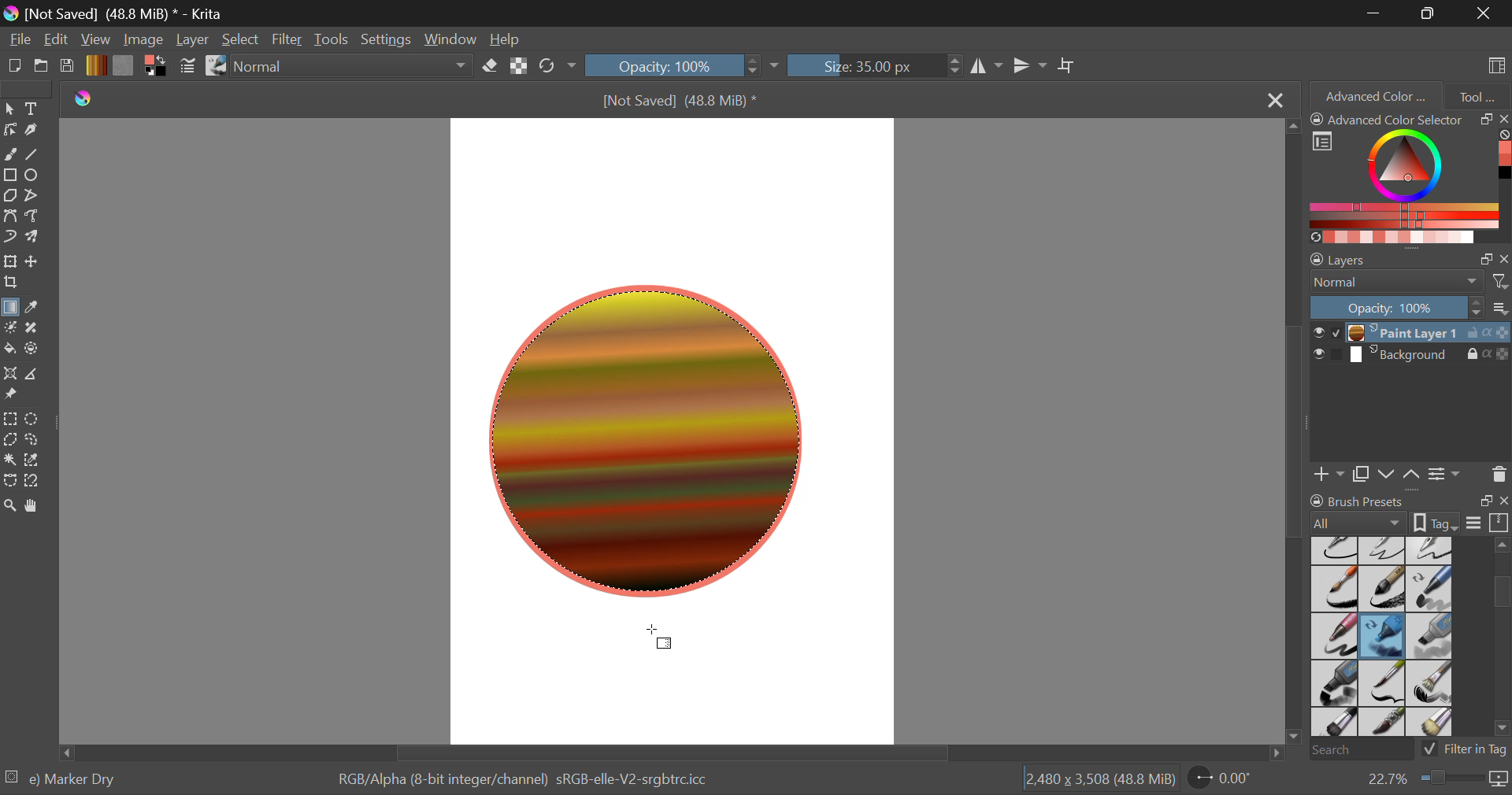 The image size is (1512, 795). What do you see at coordinates (98, 40) in the screenshot?
I see `View` at bounding box center [98, 40].